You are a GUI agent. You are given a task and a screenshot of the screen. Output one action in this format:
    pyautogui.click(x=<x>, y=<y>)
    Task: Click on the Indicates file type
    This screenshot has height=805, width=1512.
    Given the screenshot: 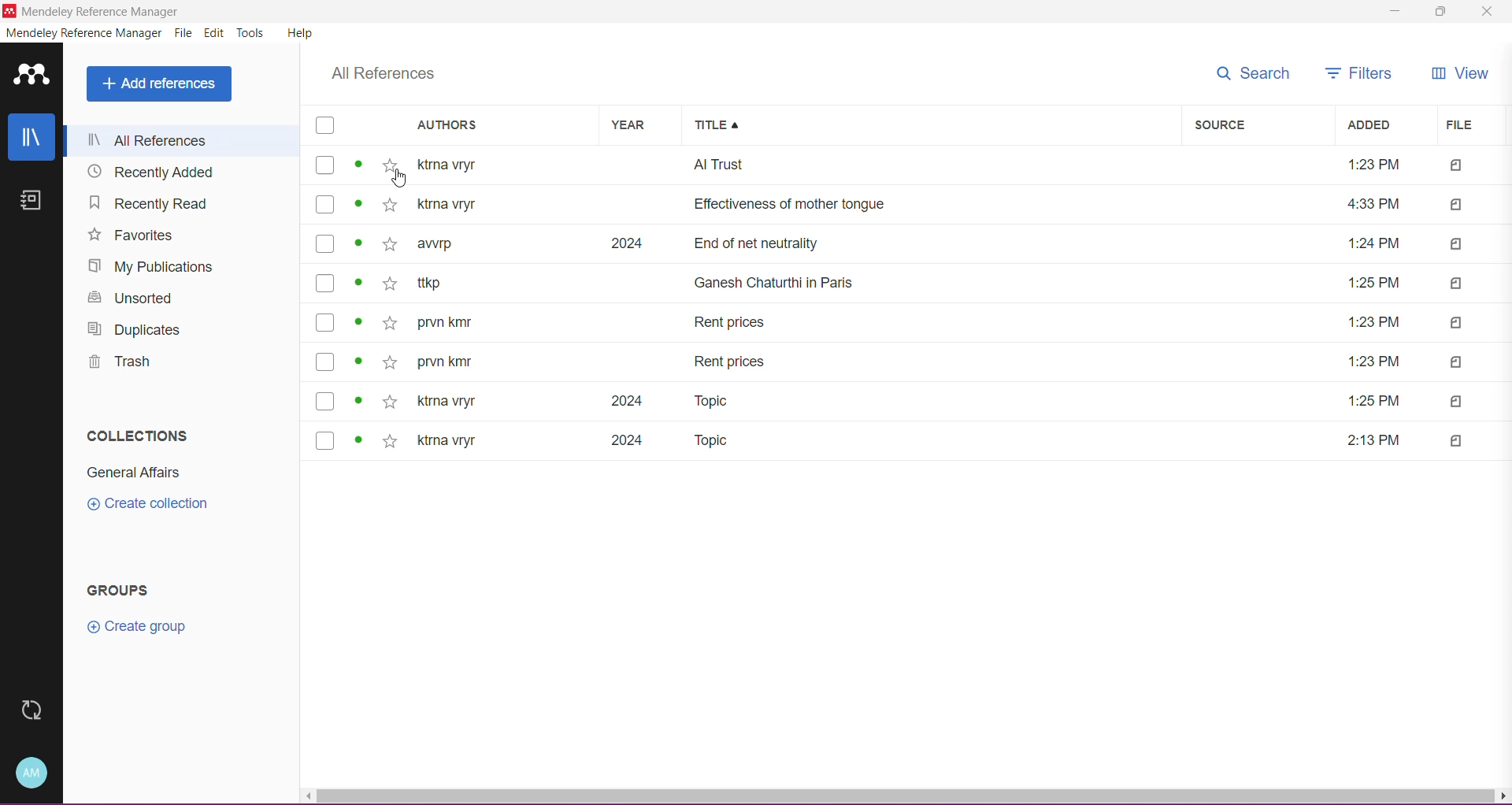 What is the action you would take?
    pyautogui.click(x=1456, y=206)
    